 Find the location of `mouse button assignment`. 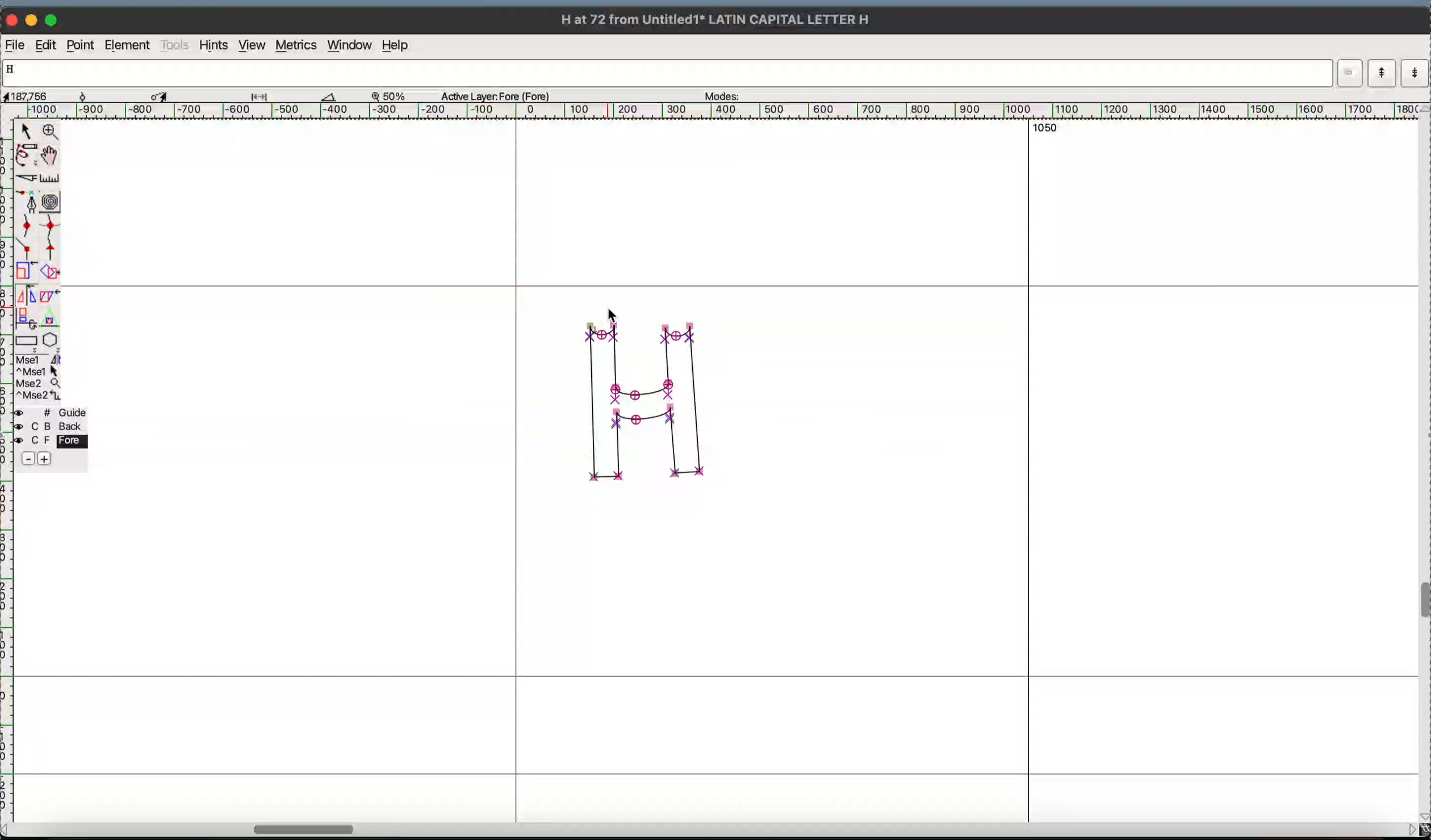

mouse button assignment is located at coordinates (39, 377).